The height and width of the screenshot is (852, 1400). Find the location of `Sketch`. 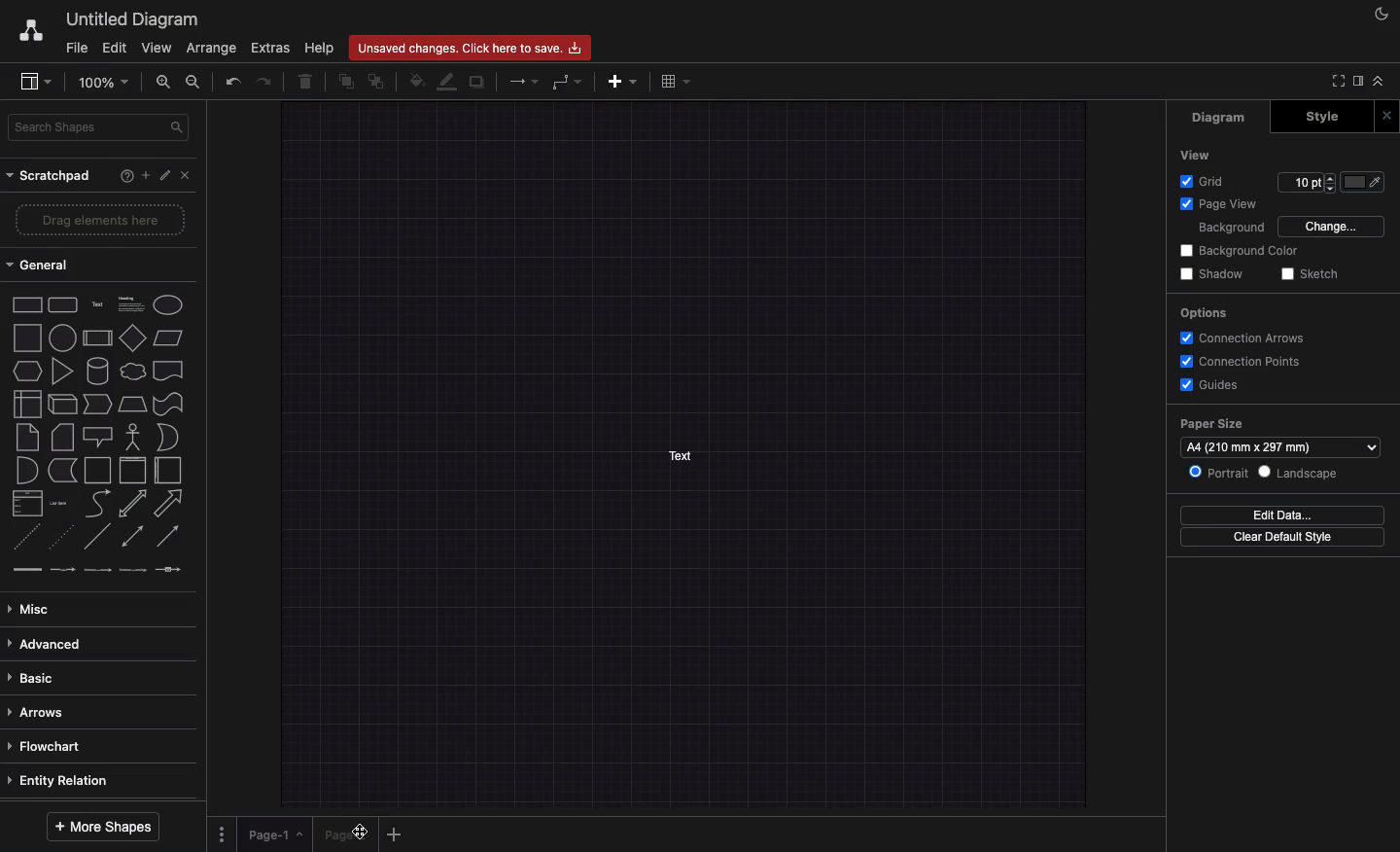

Sketch is located at coordinates (1313, 274).